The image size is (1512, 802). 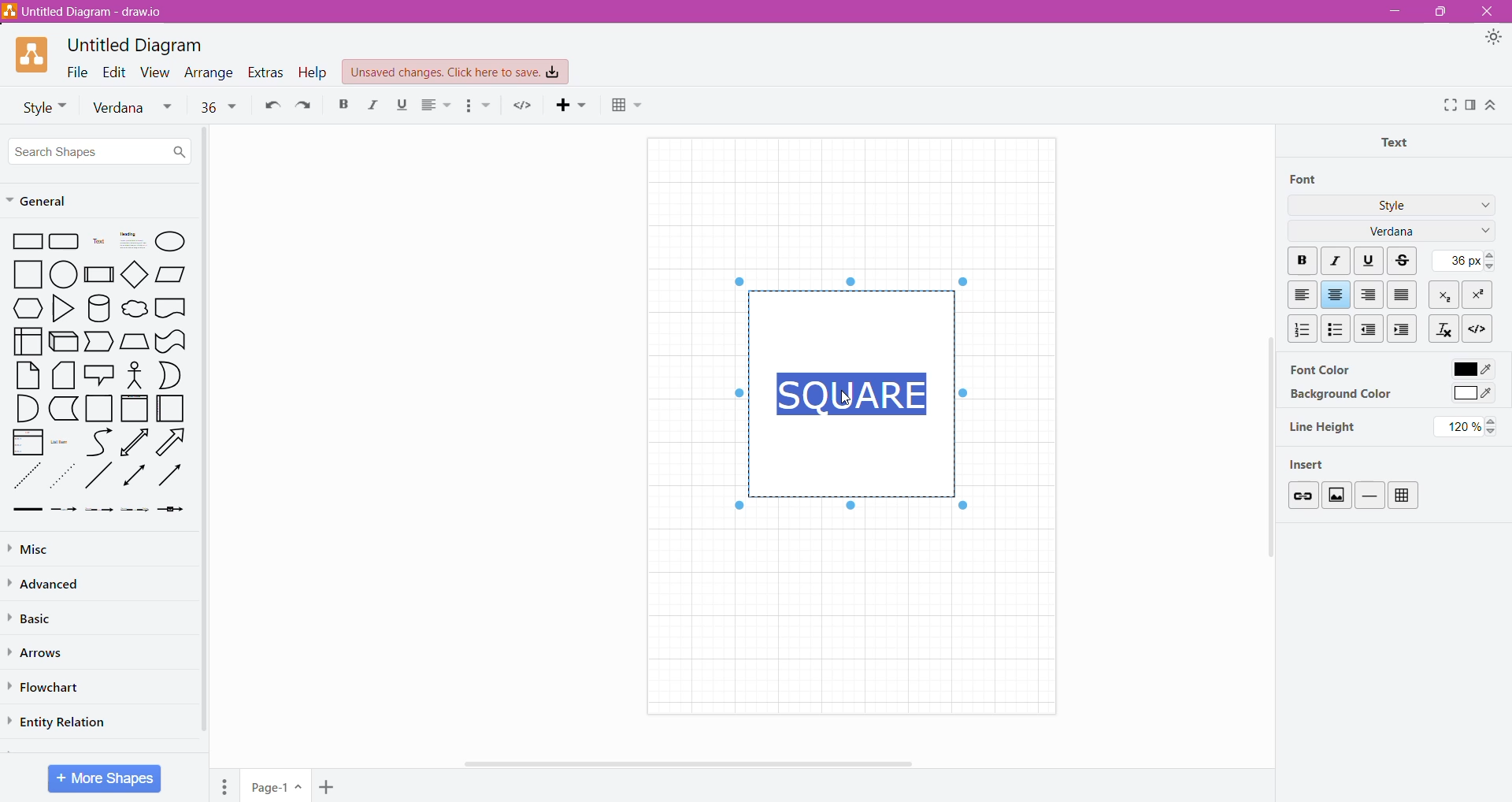 What do you see at coordinates (1395, 10) in the screenshot?
I see `Minimize` at bounding box center [1395, 10].